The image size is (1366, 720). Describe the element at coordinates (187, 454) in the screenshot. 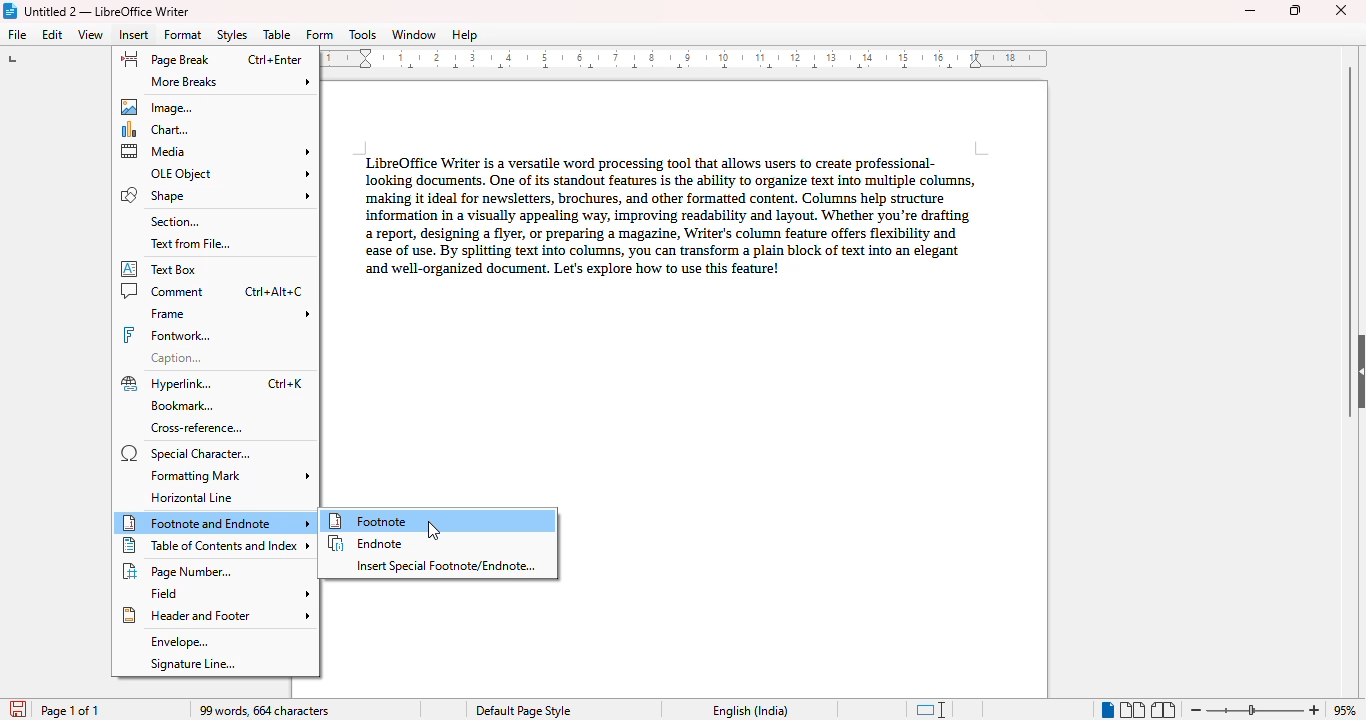

I see `special character` at that location.